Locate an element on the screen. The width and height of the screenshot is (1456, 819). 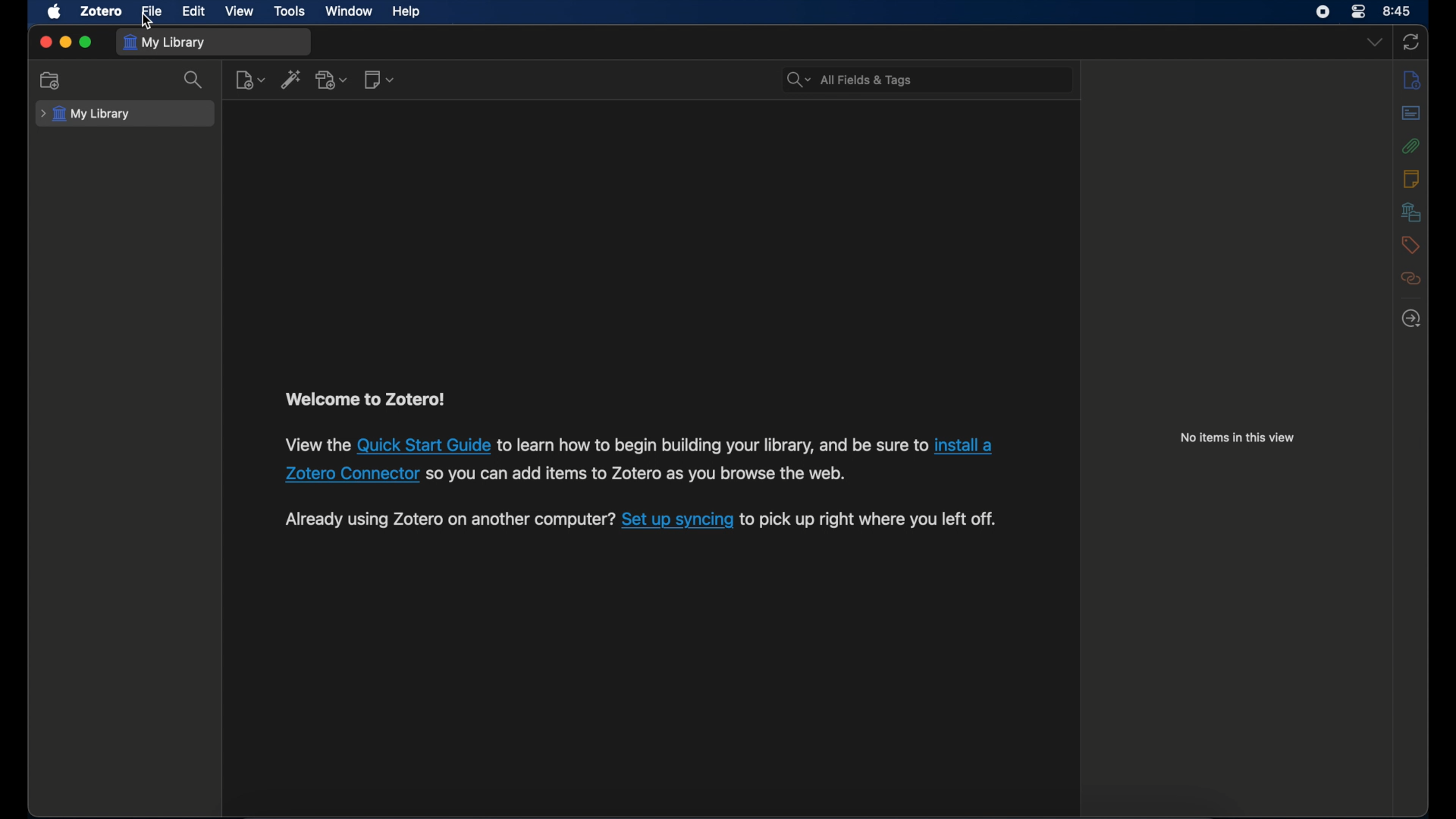
abstract is located at coordinates (1411, 112).